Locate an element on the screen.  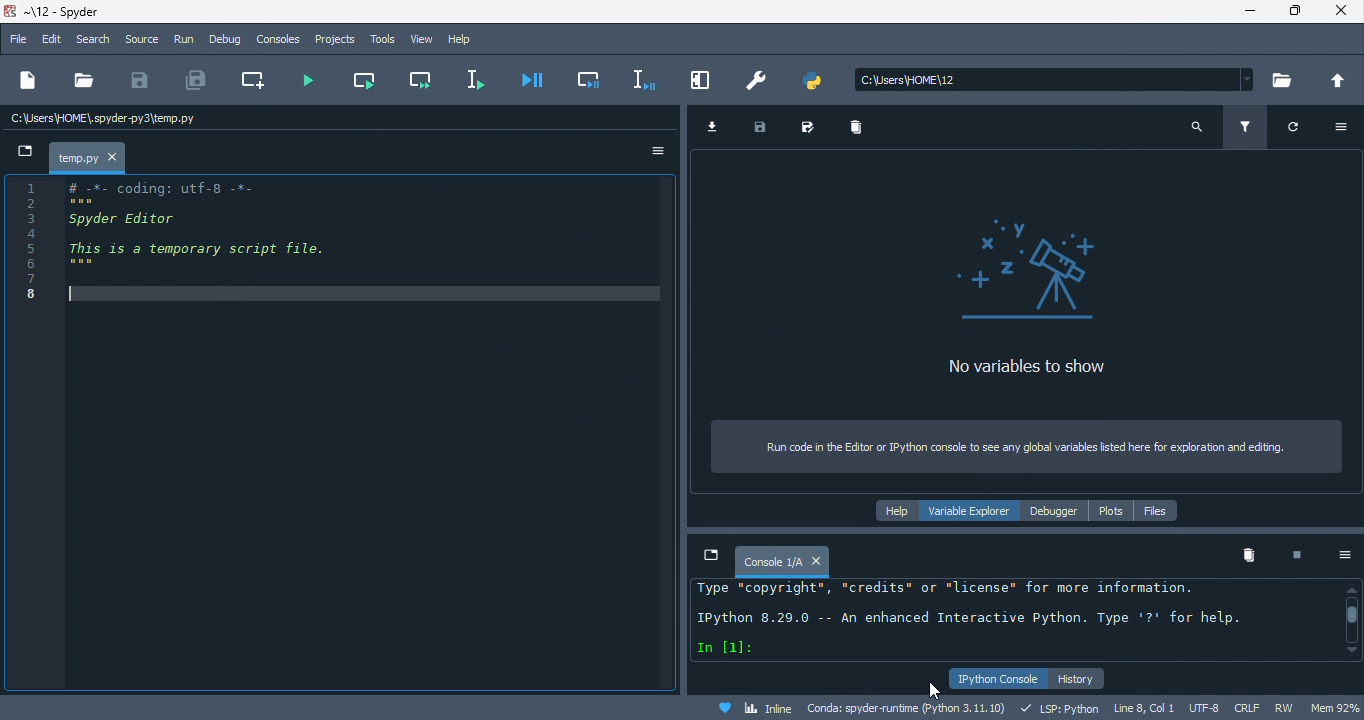
filter is located at coordinates (1249, 129).